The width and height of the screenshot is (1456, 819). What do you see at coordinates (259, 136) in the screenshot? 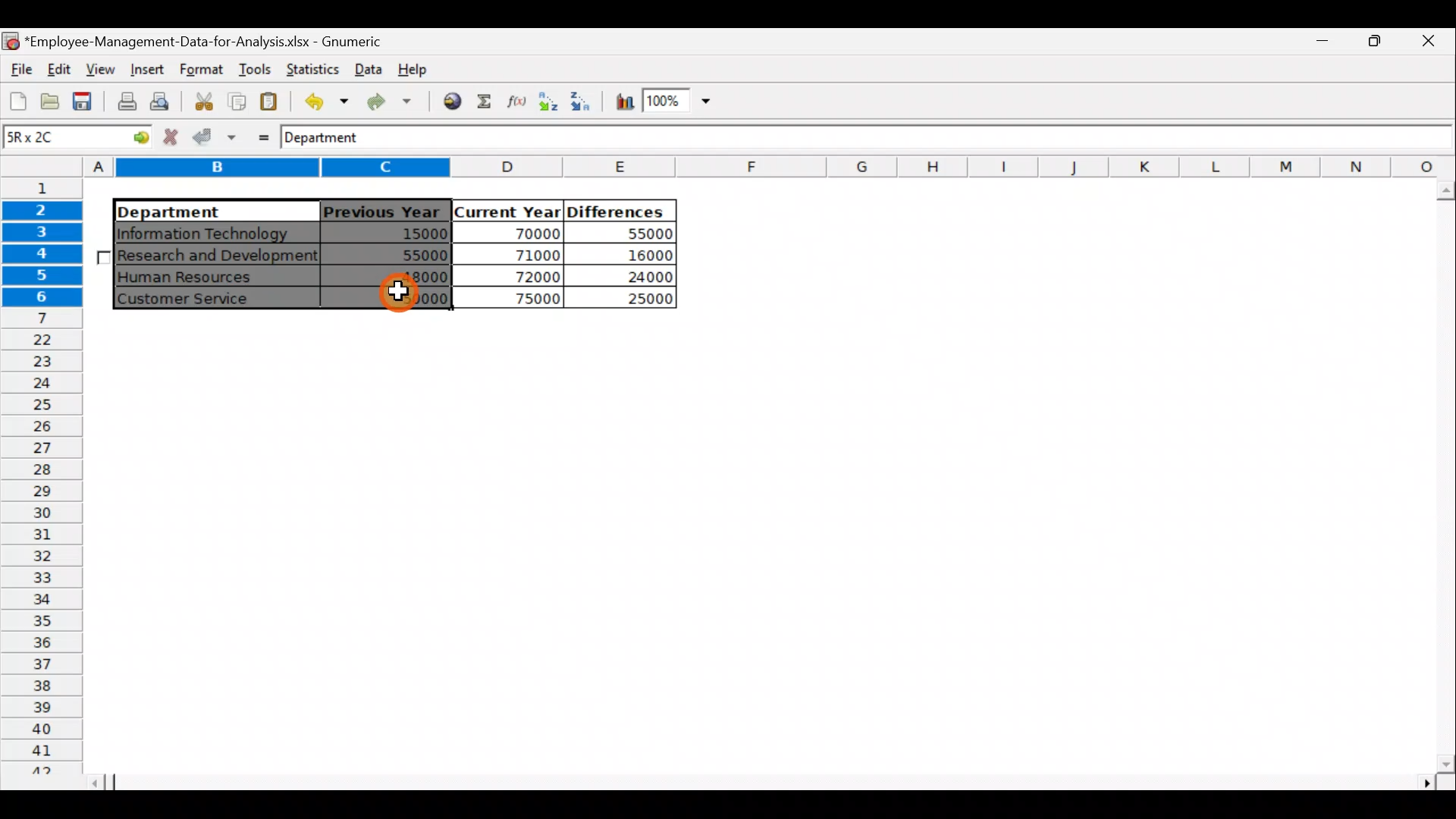
I see `Enter formula` at bounding box center [259, 136].